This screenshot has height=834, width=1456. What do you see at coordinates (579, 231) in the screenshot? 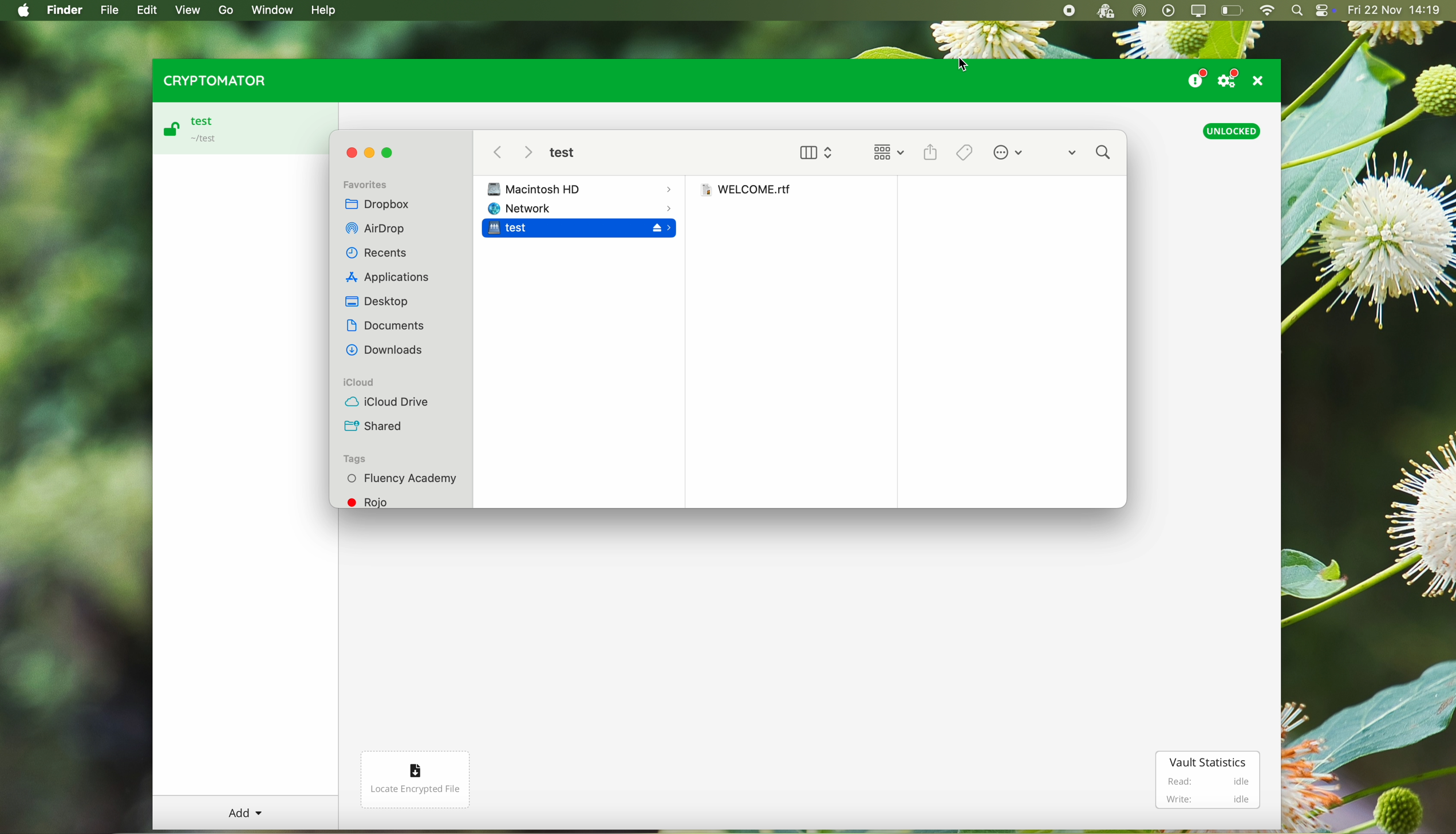
I see `test` at bounding box center [579, 231].